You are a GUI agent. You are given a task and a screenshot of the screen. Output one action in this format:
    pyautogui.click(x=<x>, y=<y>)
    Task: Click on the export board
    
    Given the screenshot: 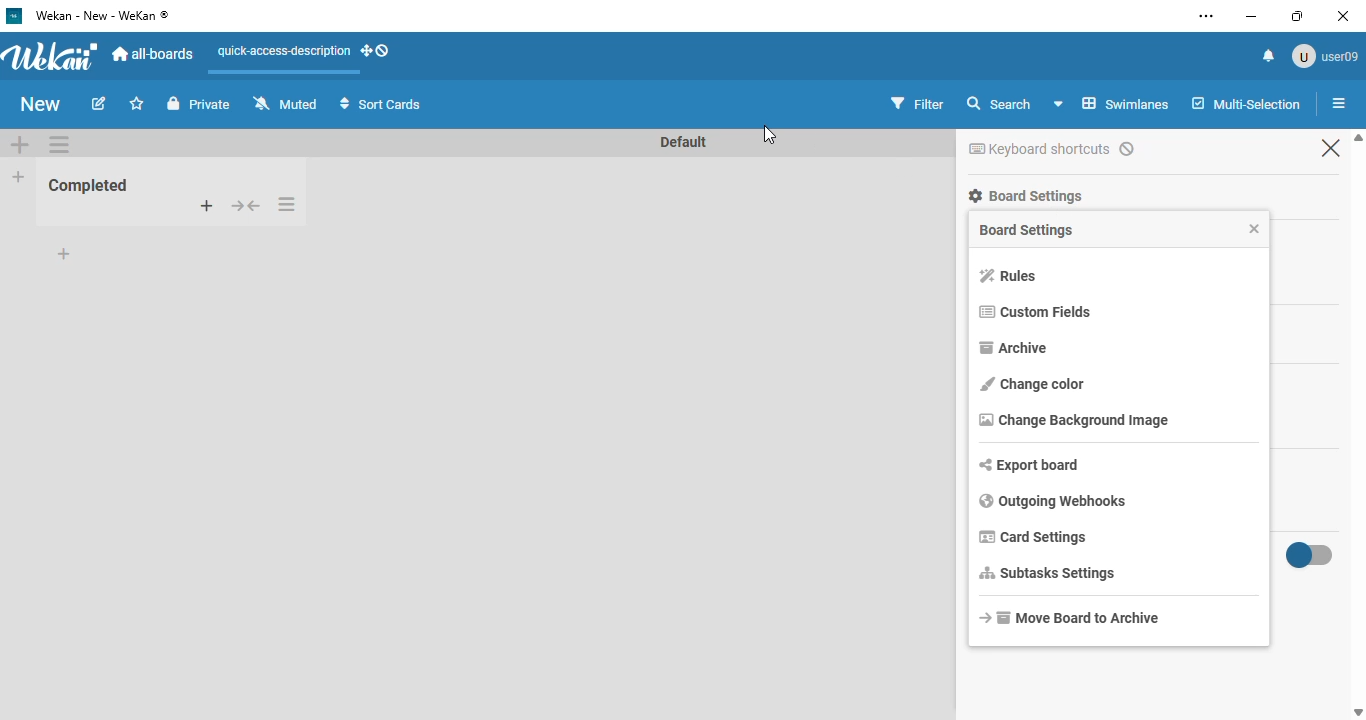 What is the action you would take?
    pyautogui.click(x=1030, y=465)
    